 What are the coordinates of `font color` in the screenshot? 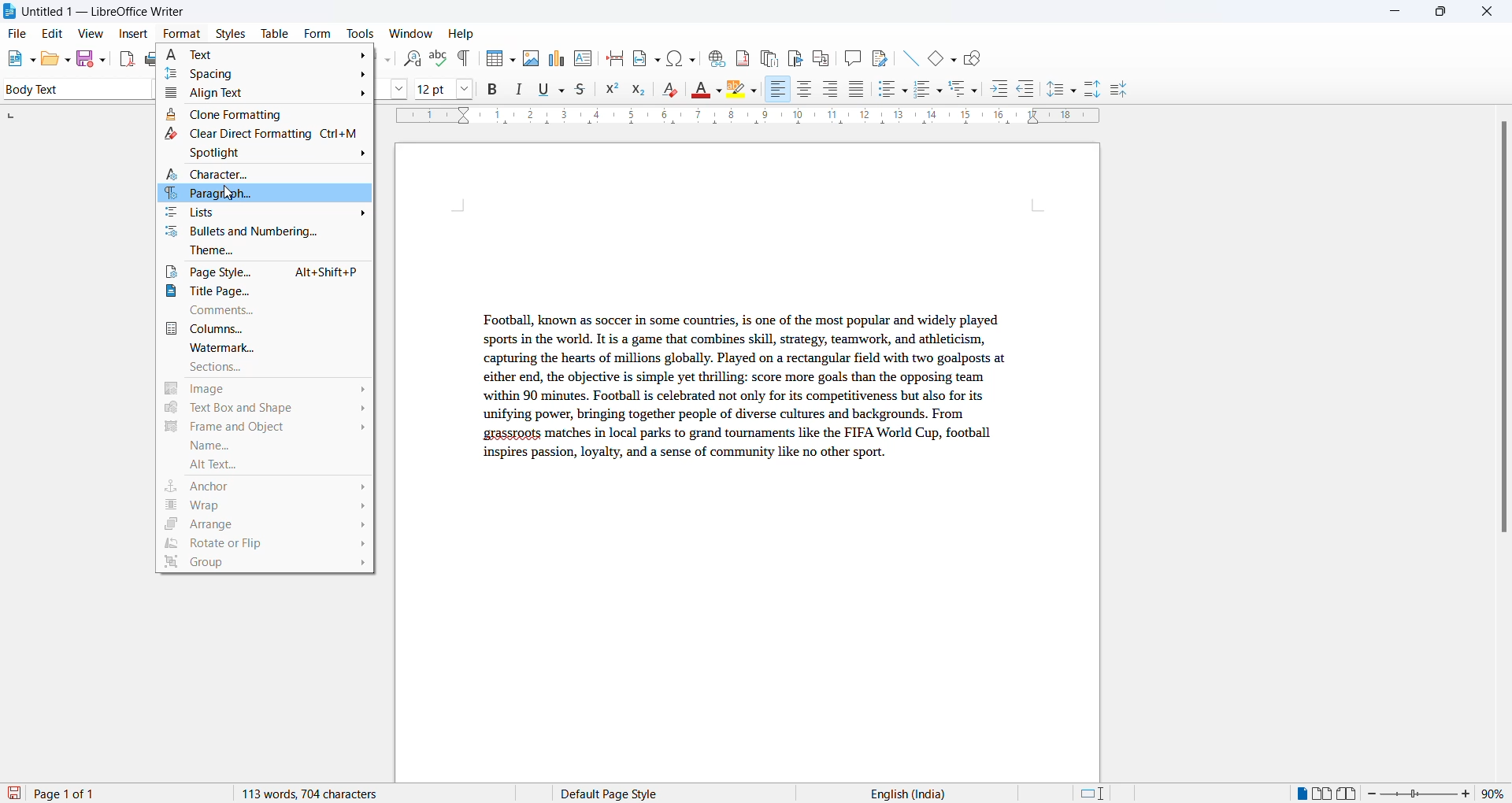 It's located at (708, 91).